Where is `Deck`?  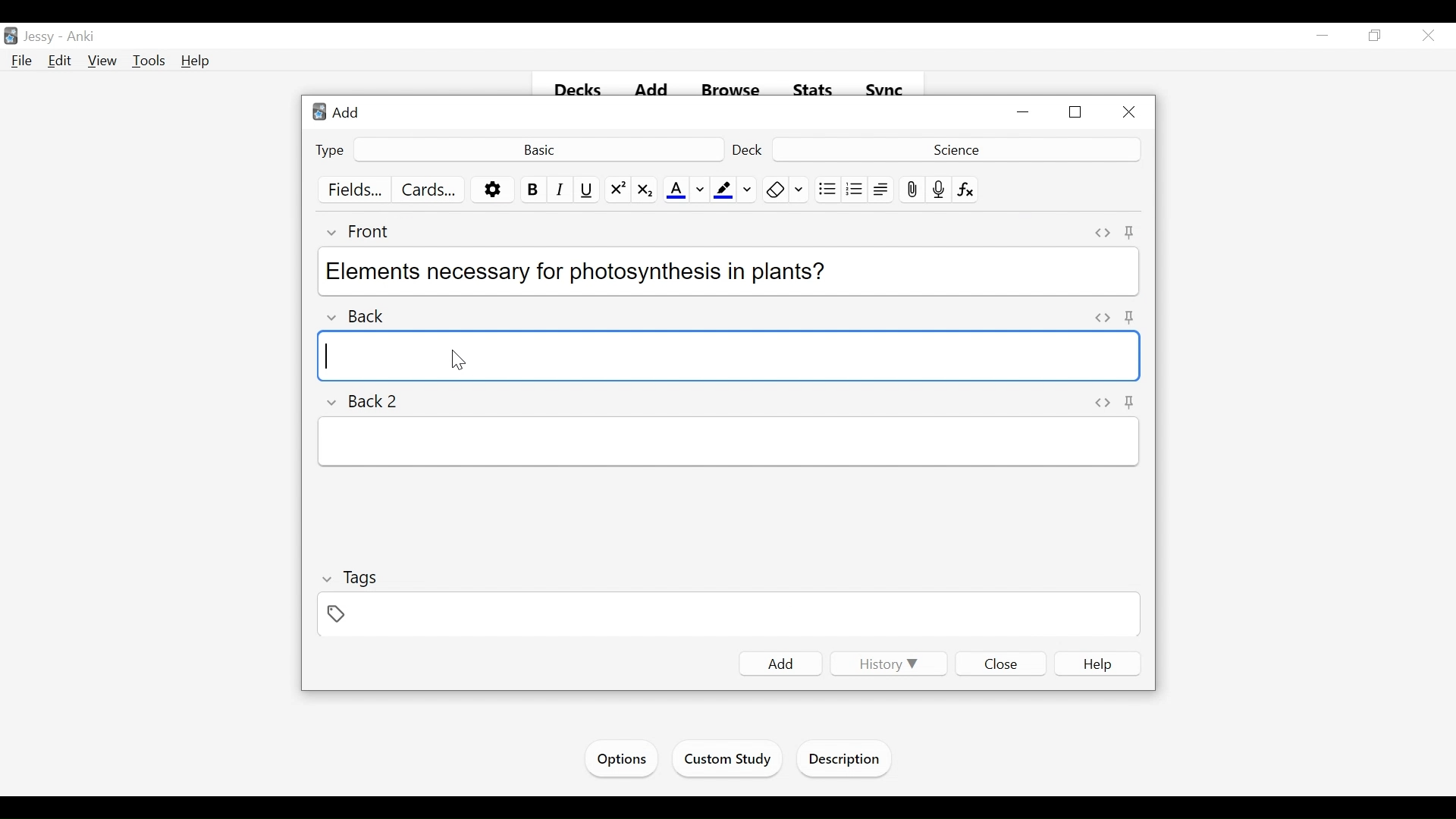 Deck is located at coordinates (749, 149).